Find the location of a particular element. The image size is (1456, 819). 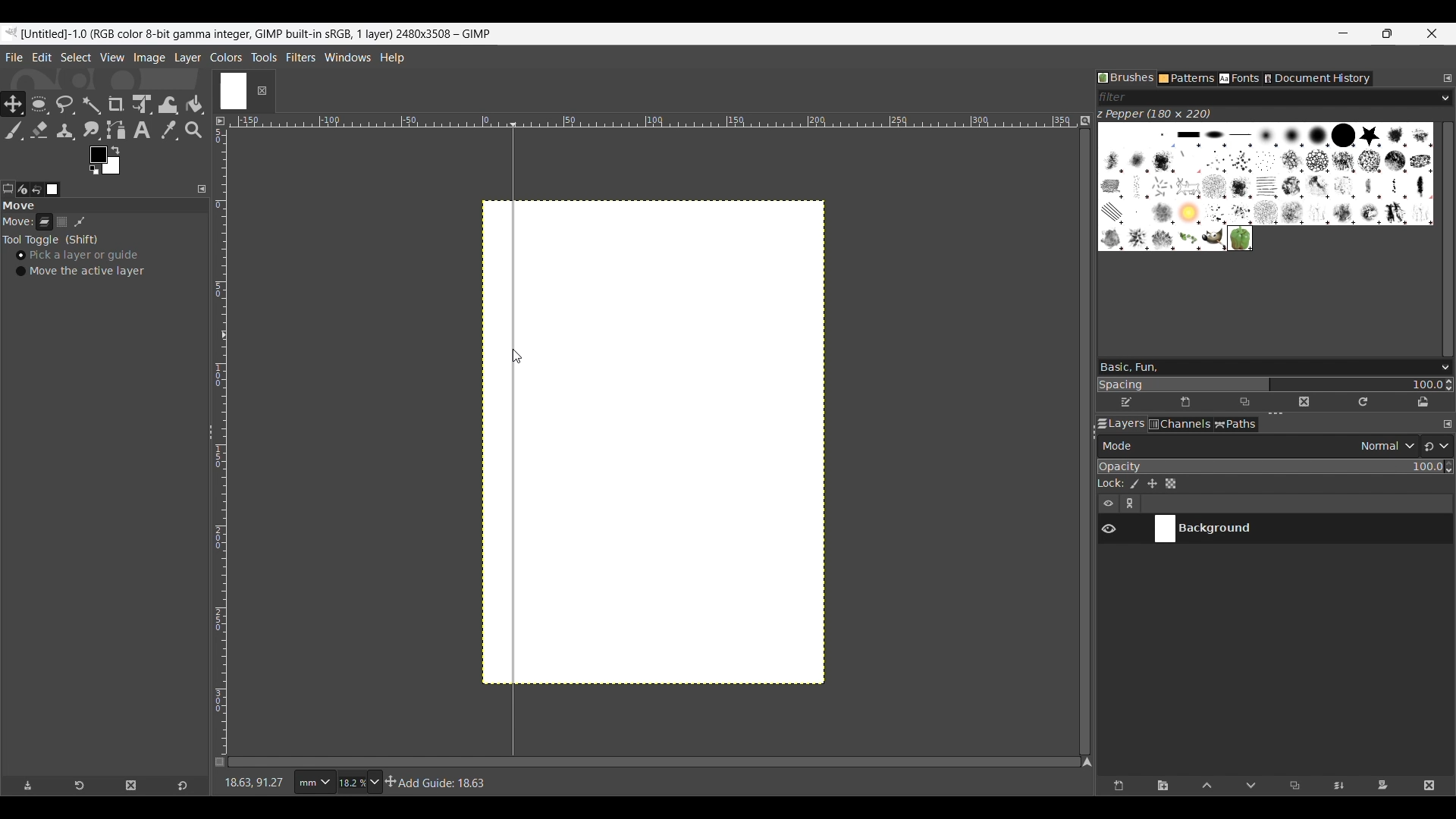

Navigate the image display is located at coordinates (1087, 762).